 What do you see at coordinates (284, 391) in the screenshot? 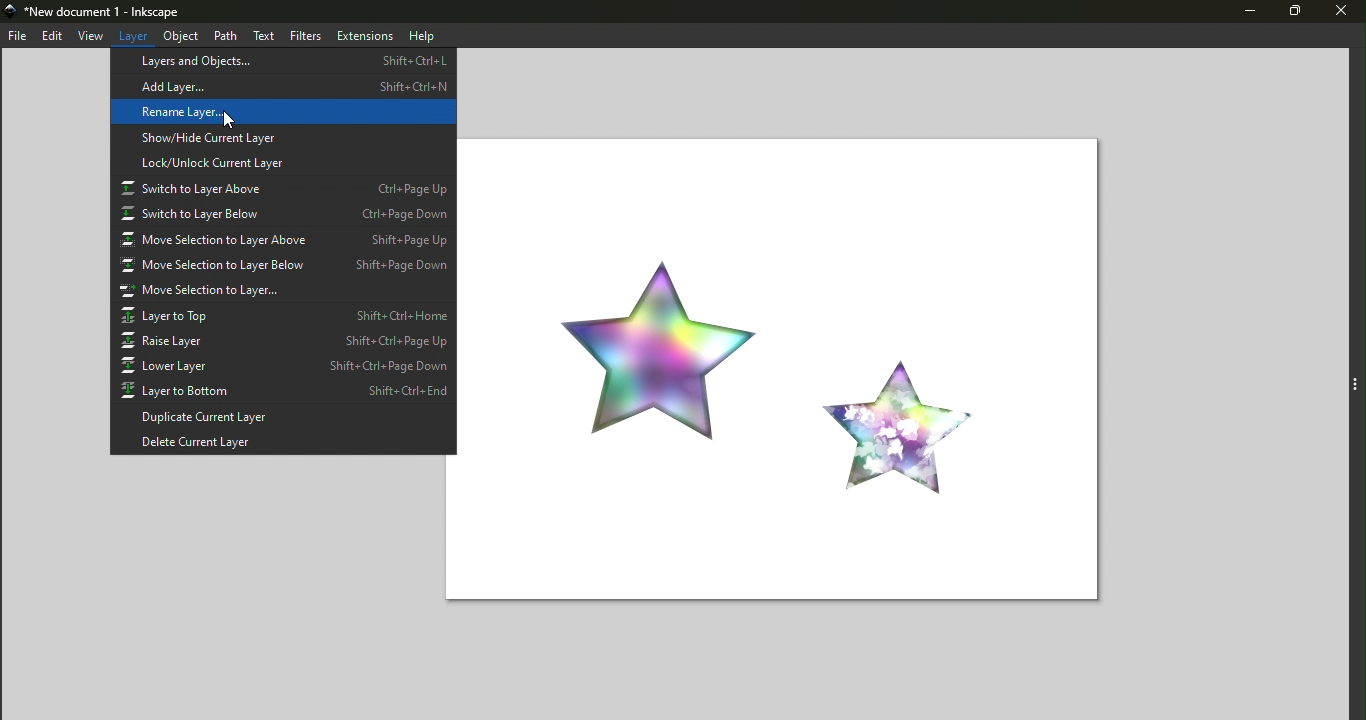
I see `Layer to bottom` at bounding box center [284, 391].